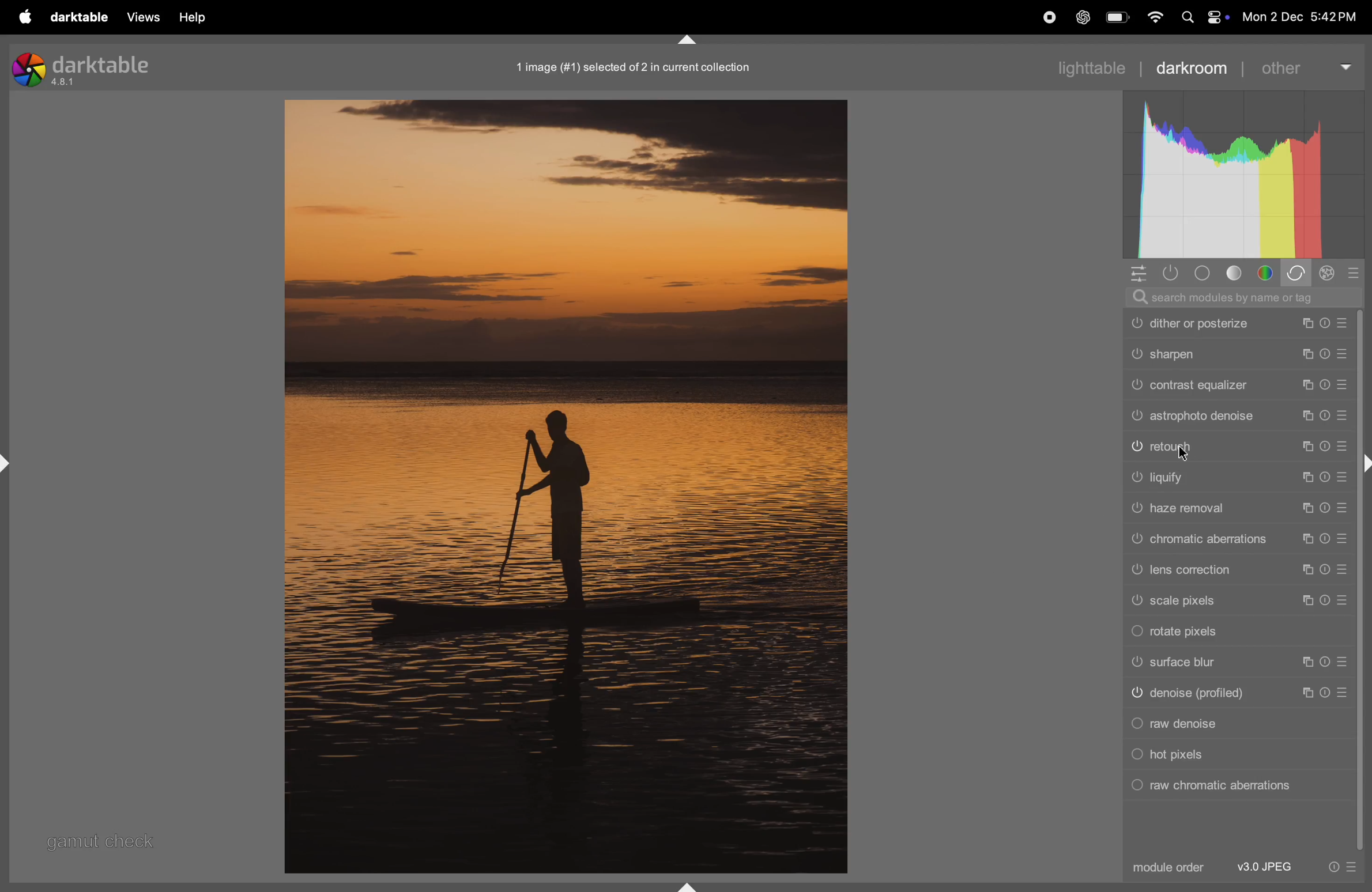 This screenshot has height=892, width=1372. Describe the element at coordinates (1175, 273) in the screenshot. I see `show only active modules` at that location.